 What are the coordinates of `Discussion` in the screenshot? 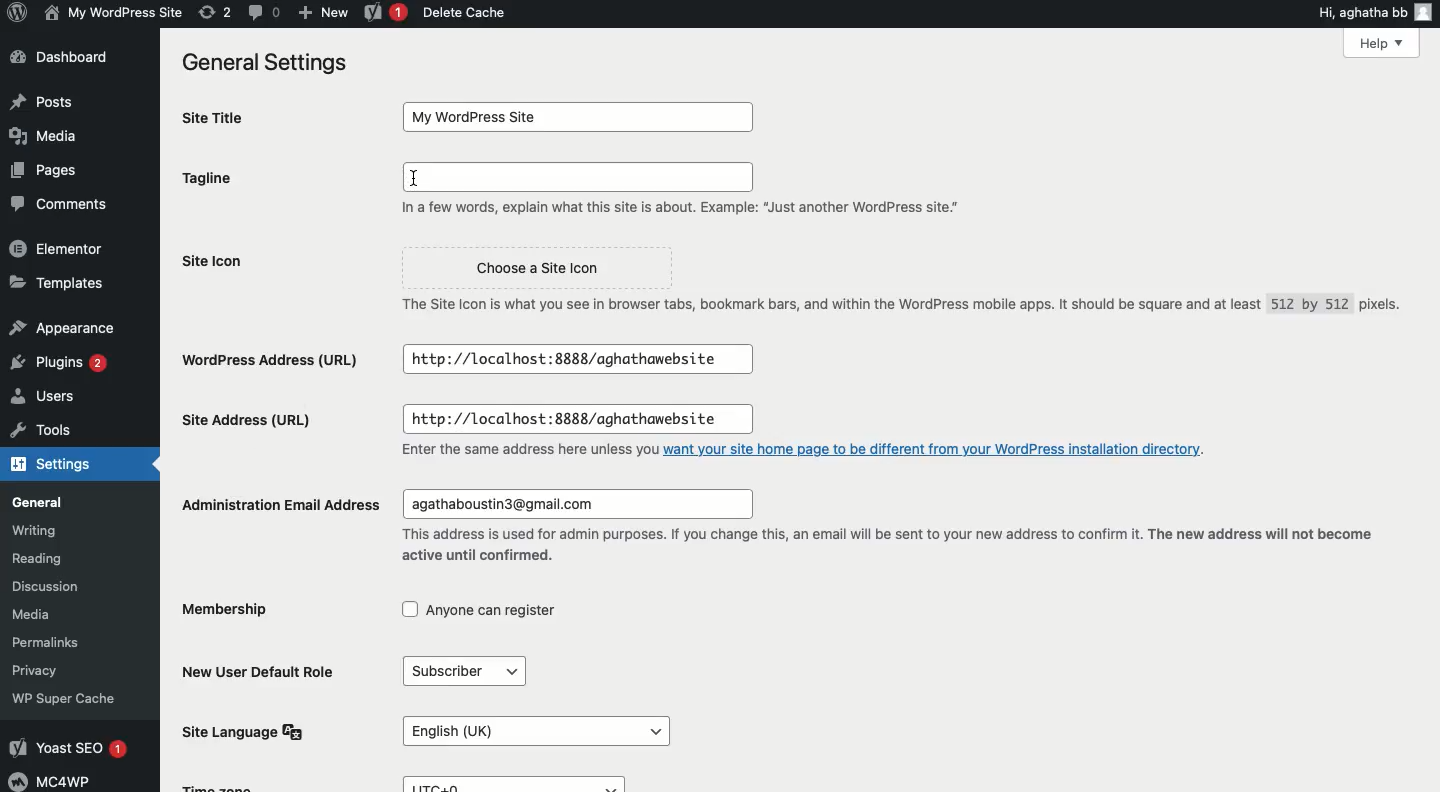 It's located at (57, 585).